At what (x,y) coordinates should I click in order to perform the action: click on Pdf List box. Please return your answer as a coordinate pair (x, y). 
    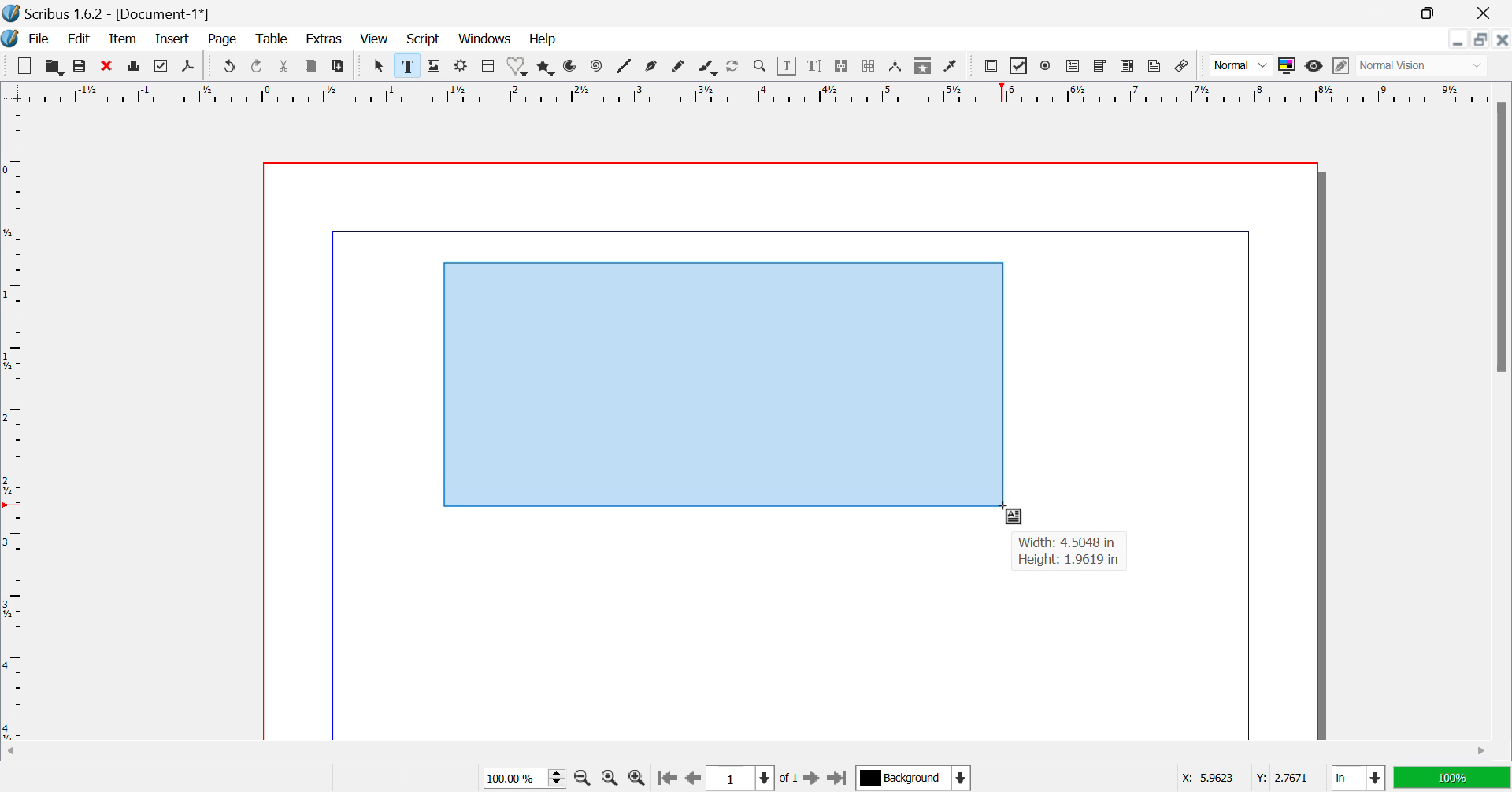
    Looking at the image, I should click on (1125, 67).